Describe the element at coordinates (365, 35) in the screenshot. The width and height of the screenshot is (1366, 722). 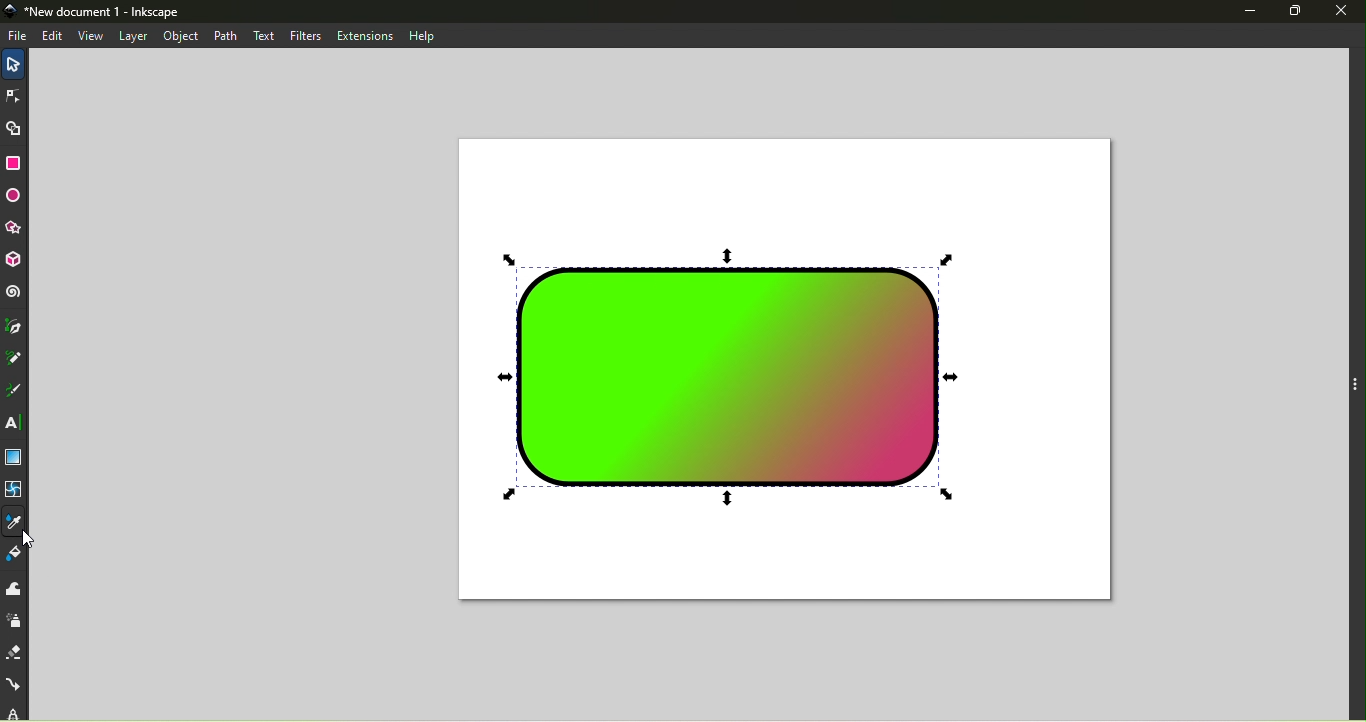
I see `Extensions` at that location.